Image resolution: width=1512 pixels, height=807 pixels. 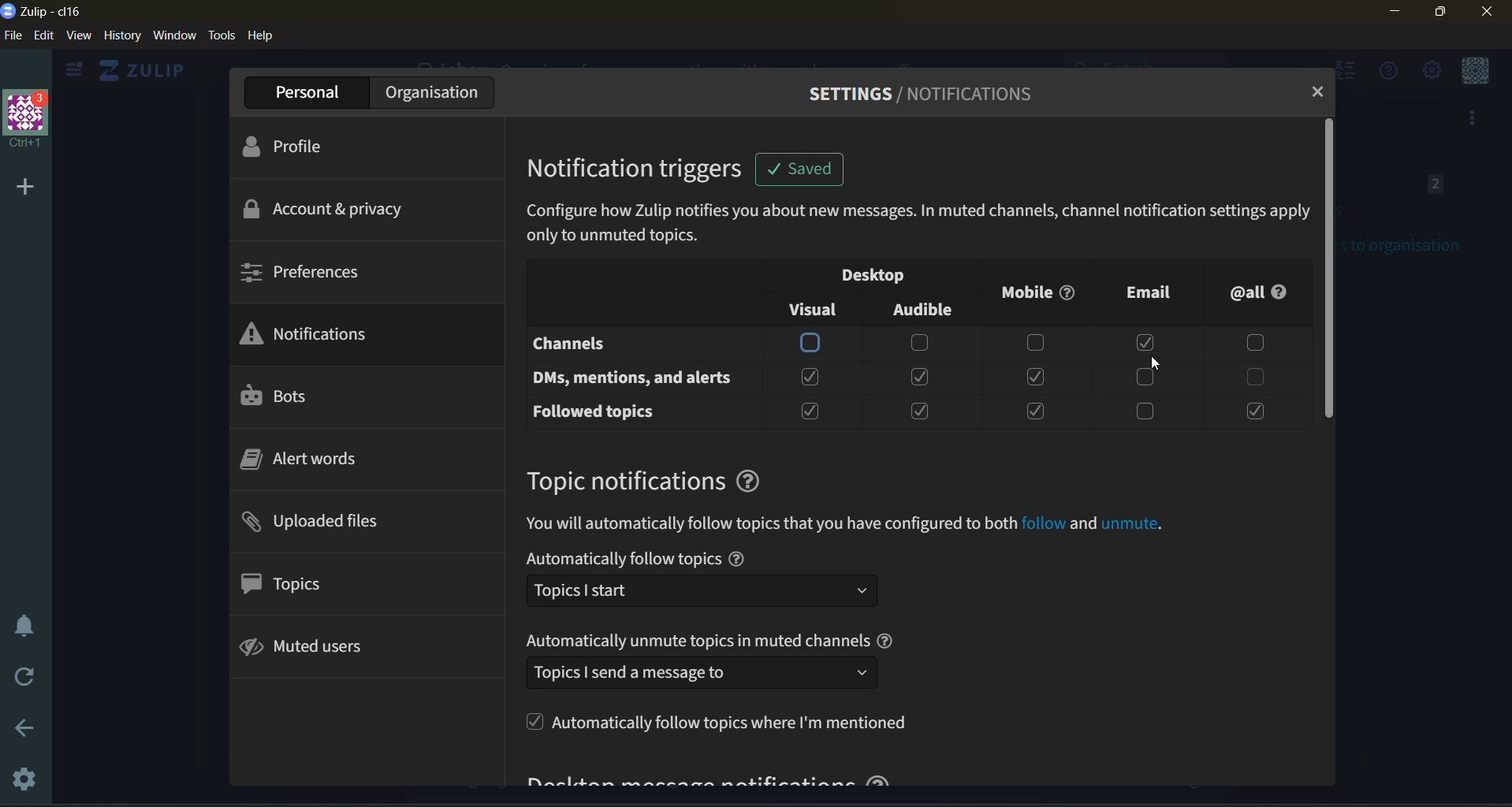 I want to click on topic notifications, so click(x=623, y=481).